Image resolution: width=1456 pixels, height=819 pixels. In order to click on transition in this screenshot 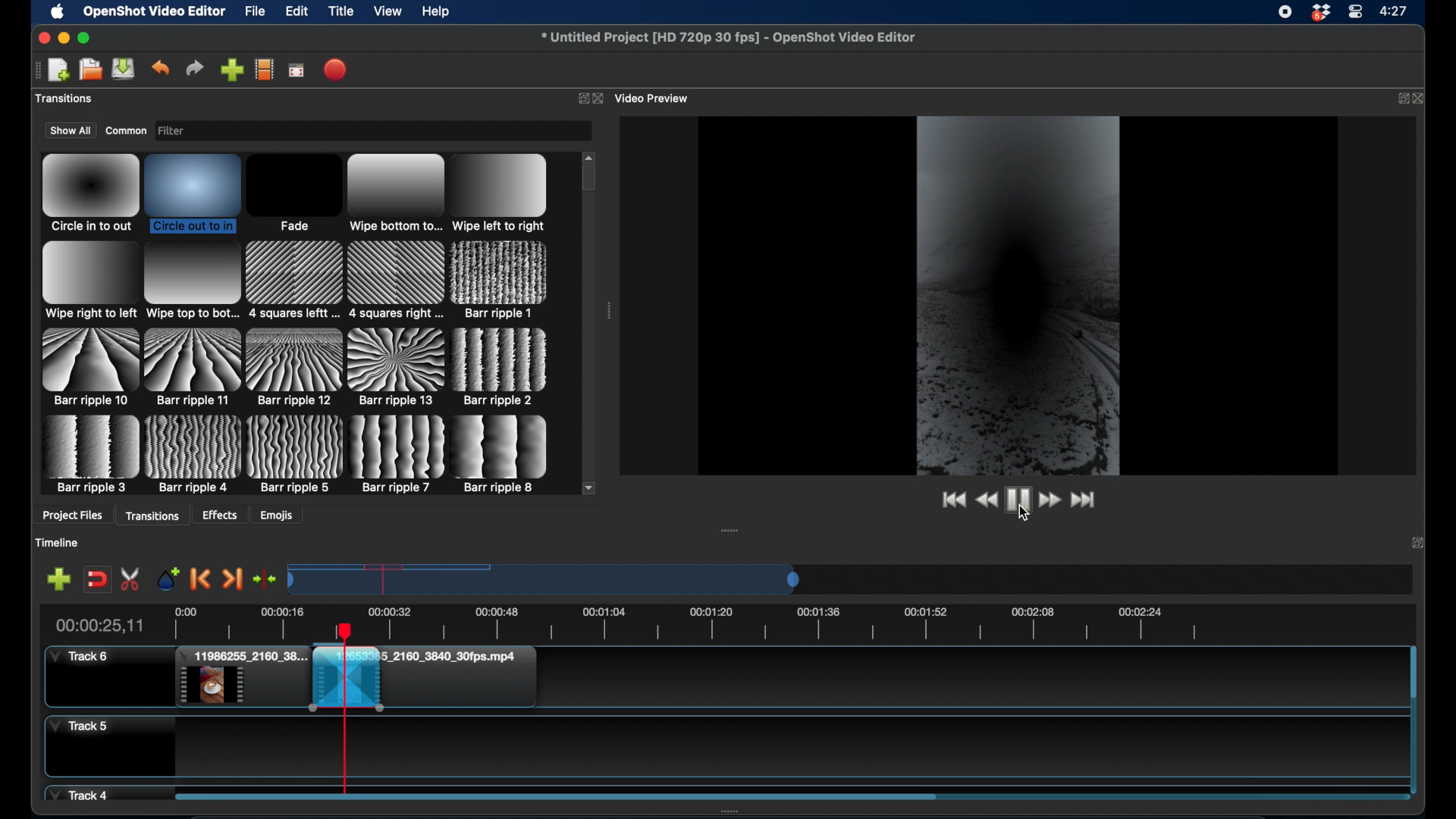, I will do `click(191, 281)`.